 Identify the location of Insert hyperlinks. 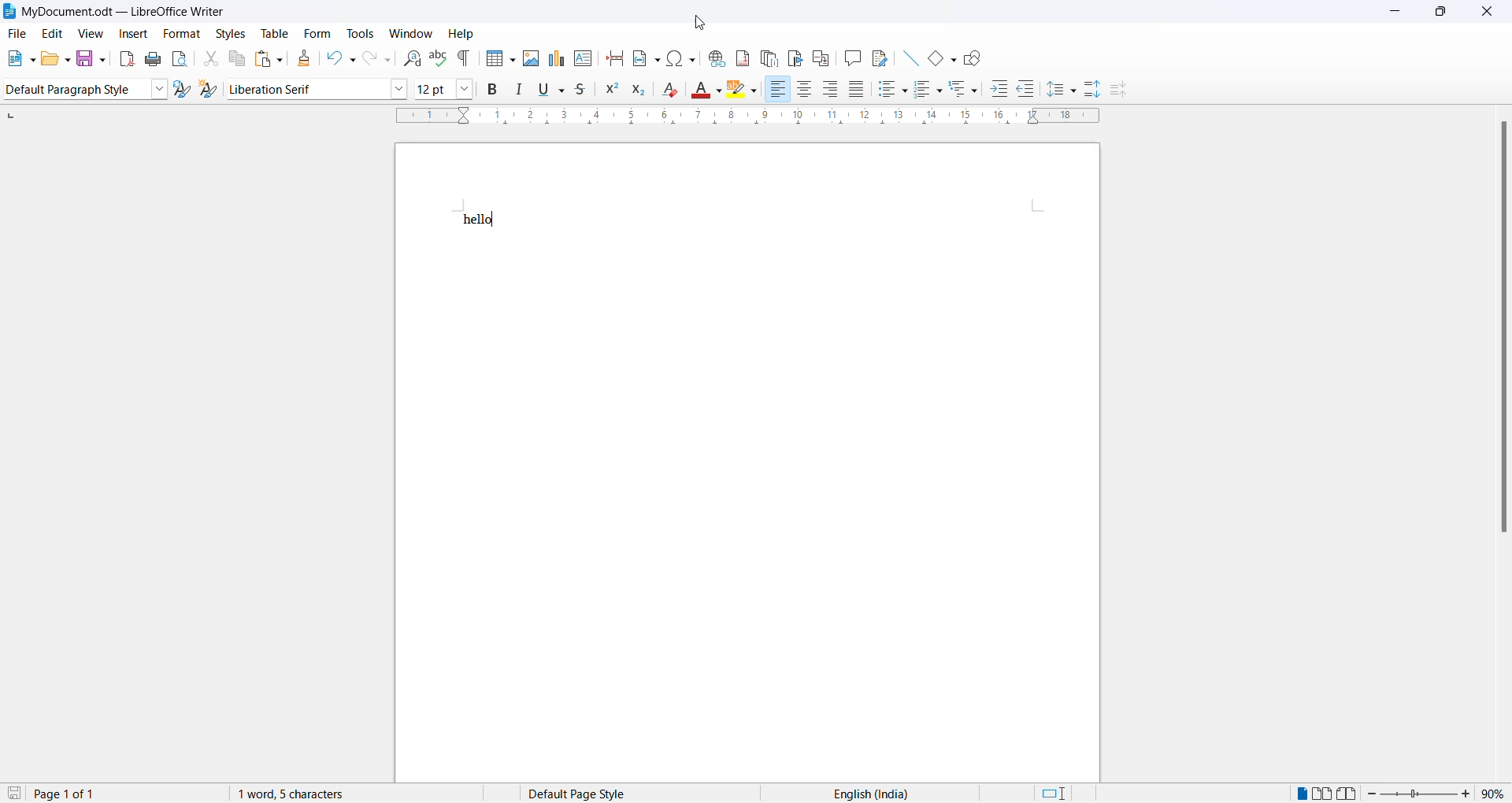
(714, 57).